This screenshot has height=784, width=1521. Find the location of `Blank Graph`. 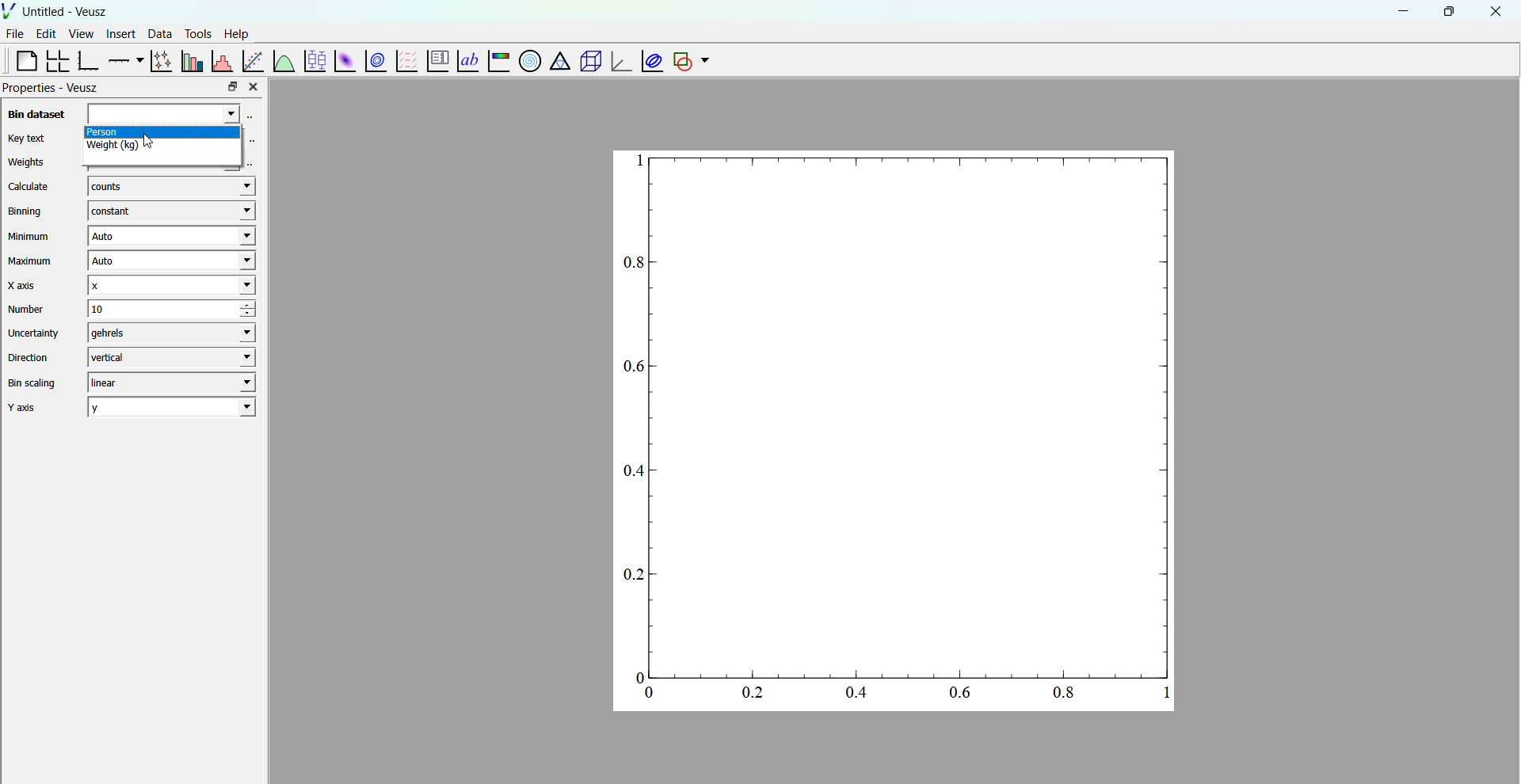

Blank Graph is located at coordinates (913, 413).